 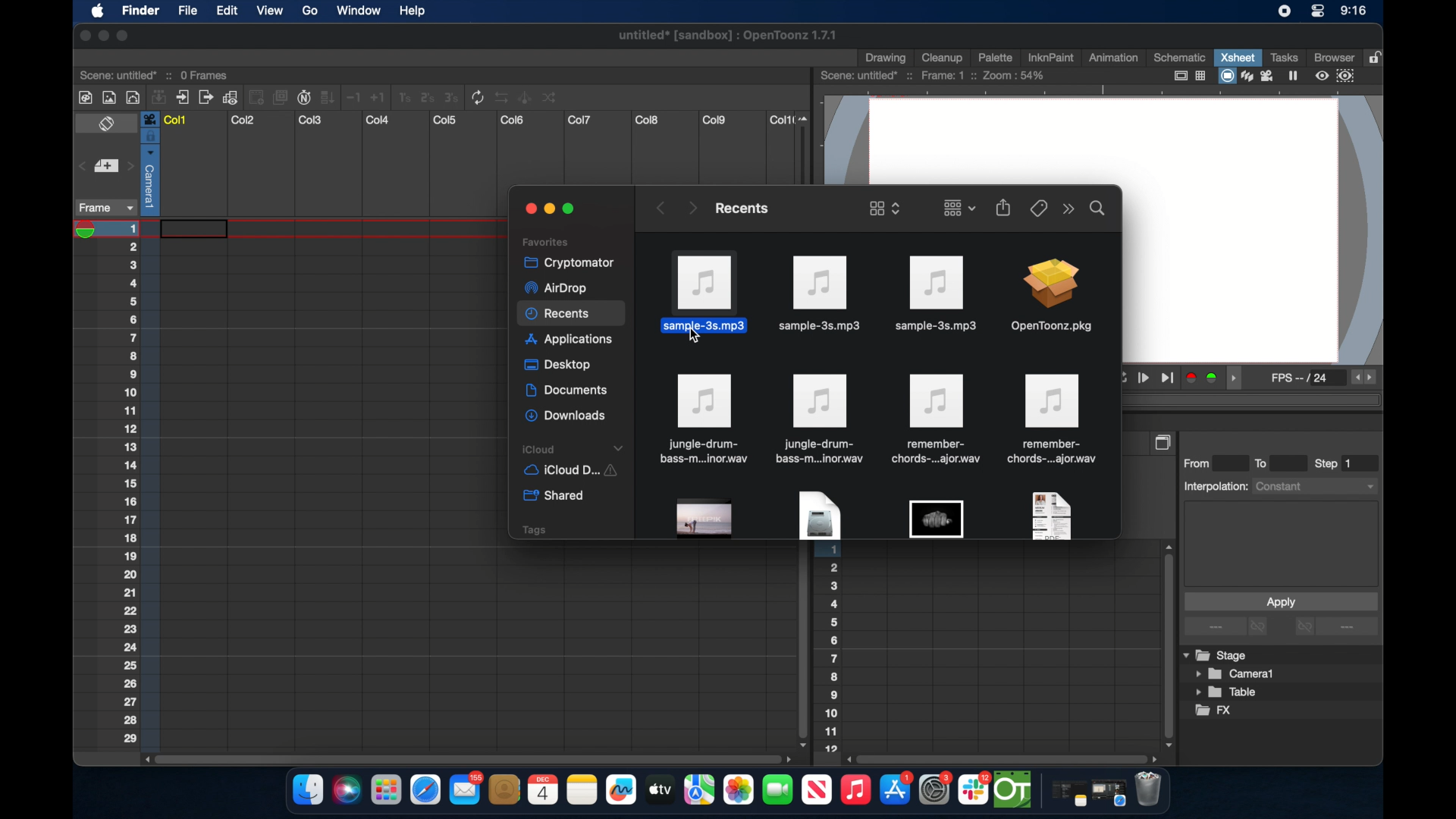 What do you see at coordinates (1068, 209) in the screenshot?
I see `more options` at bounding box center [1068, 209].